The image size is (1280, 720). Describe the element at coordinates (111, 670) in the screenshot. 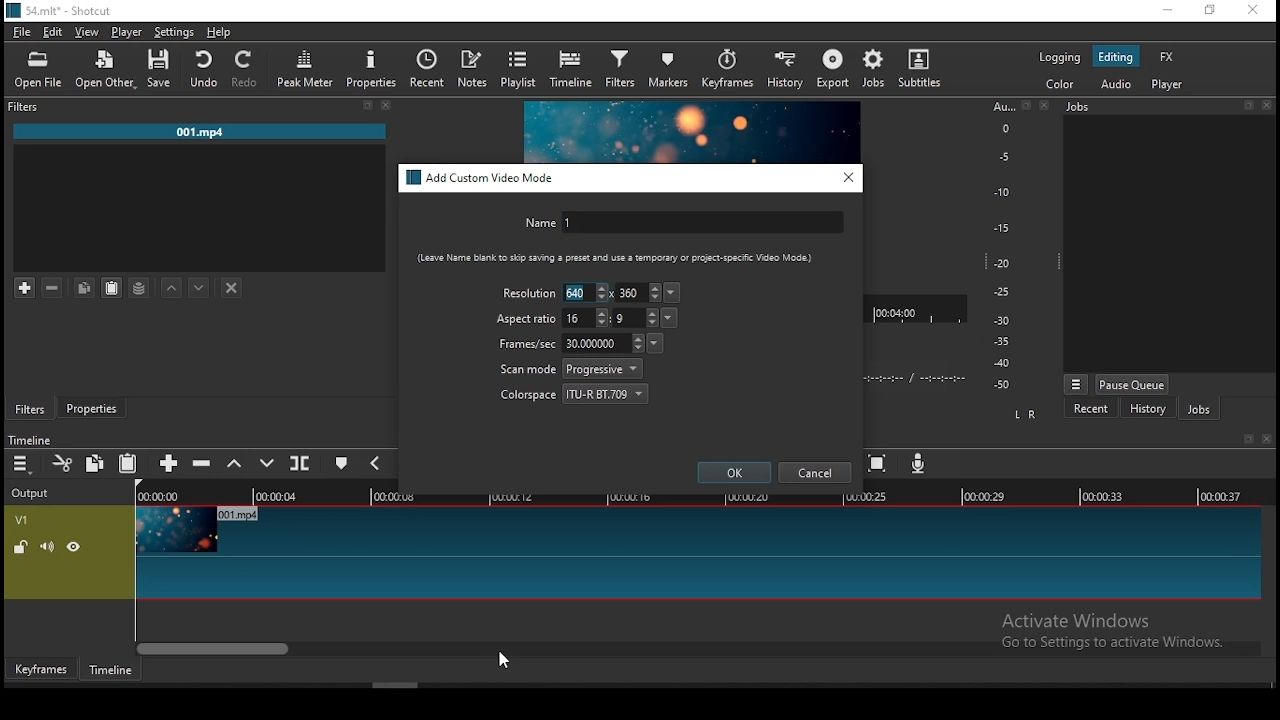

I see `timeline` at that location.